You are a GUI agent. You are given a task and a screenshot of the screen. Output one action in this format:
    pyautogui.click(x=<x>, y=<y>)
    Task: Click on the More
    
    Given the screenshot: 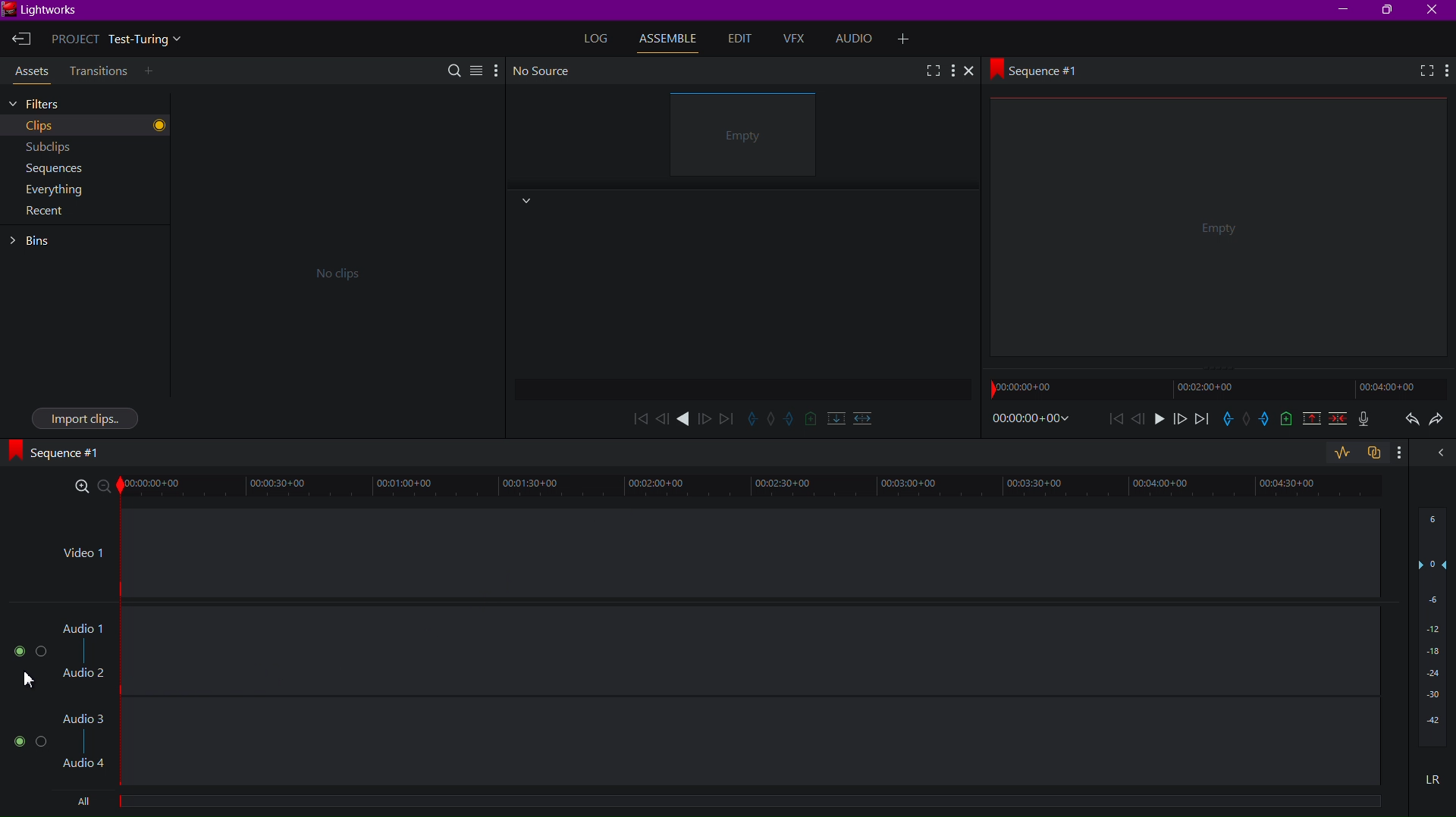 What is the action you would take?
    pyautogui.click(x=954, y=70)
    